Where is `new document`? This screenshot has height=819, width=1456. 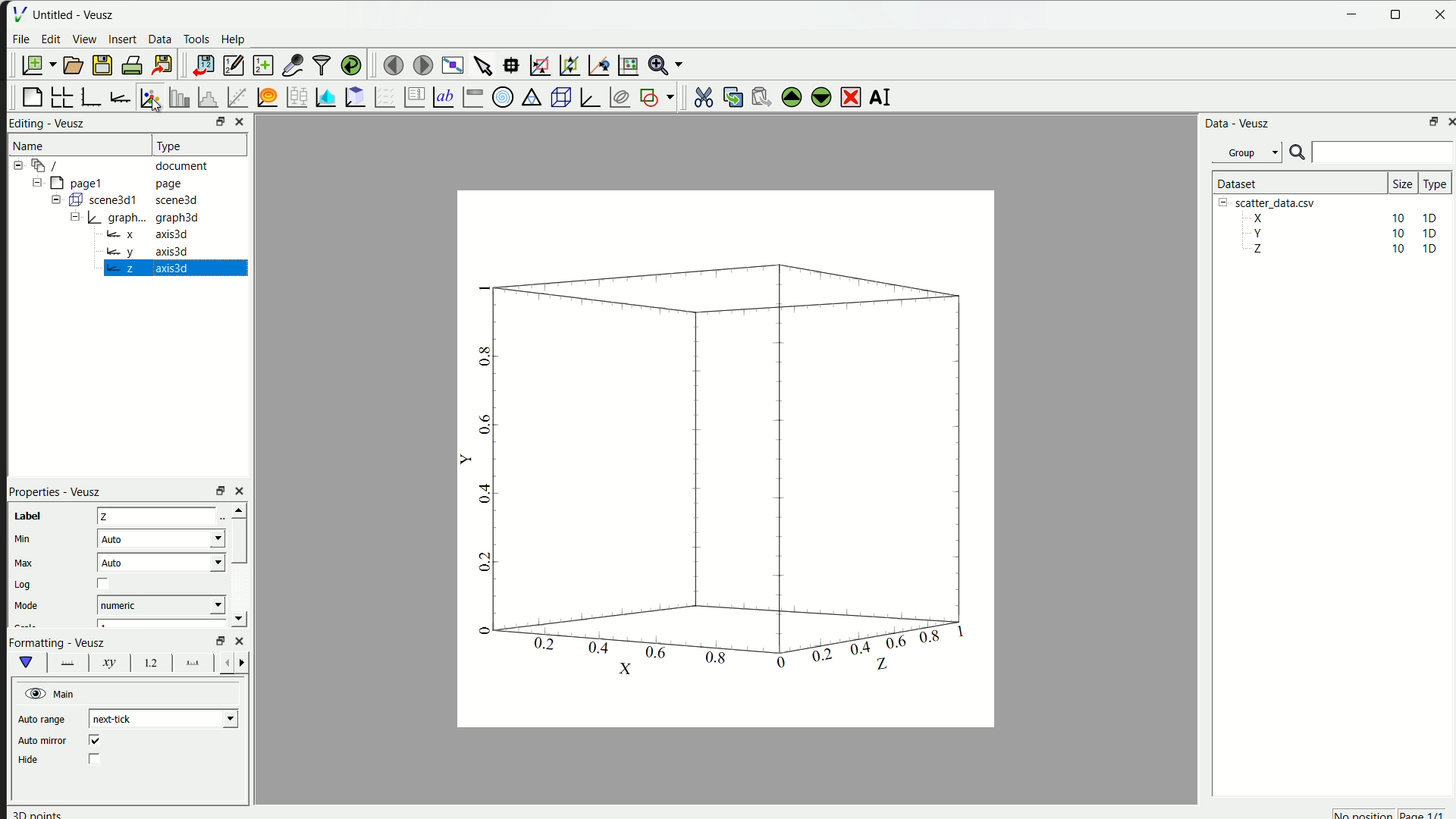
new document is located at coordinates (35, 64).